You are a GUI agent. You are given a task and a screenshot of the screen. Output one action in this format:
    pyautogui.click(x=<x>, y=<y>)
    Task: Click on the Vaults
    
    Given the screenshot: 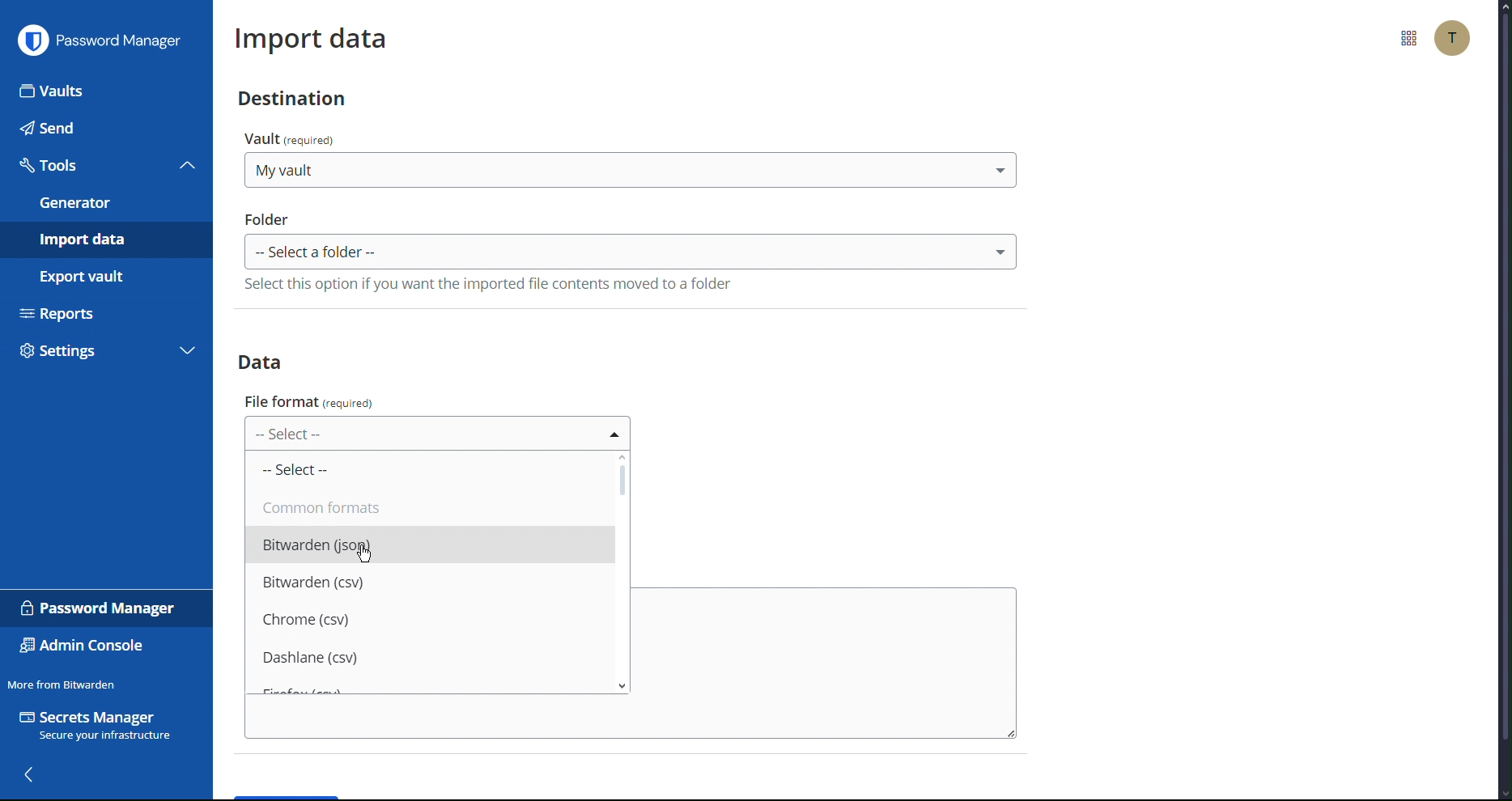 What is the action you would take?
    pyautogui.click(x=107, y=90)
    